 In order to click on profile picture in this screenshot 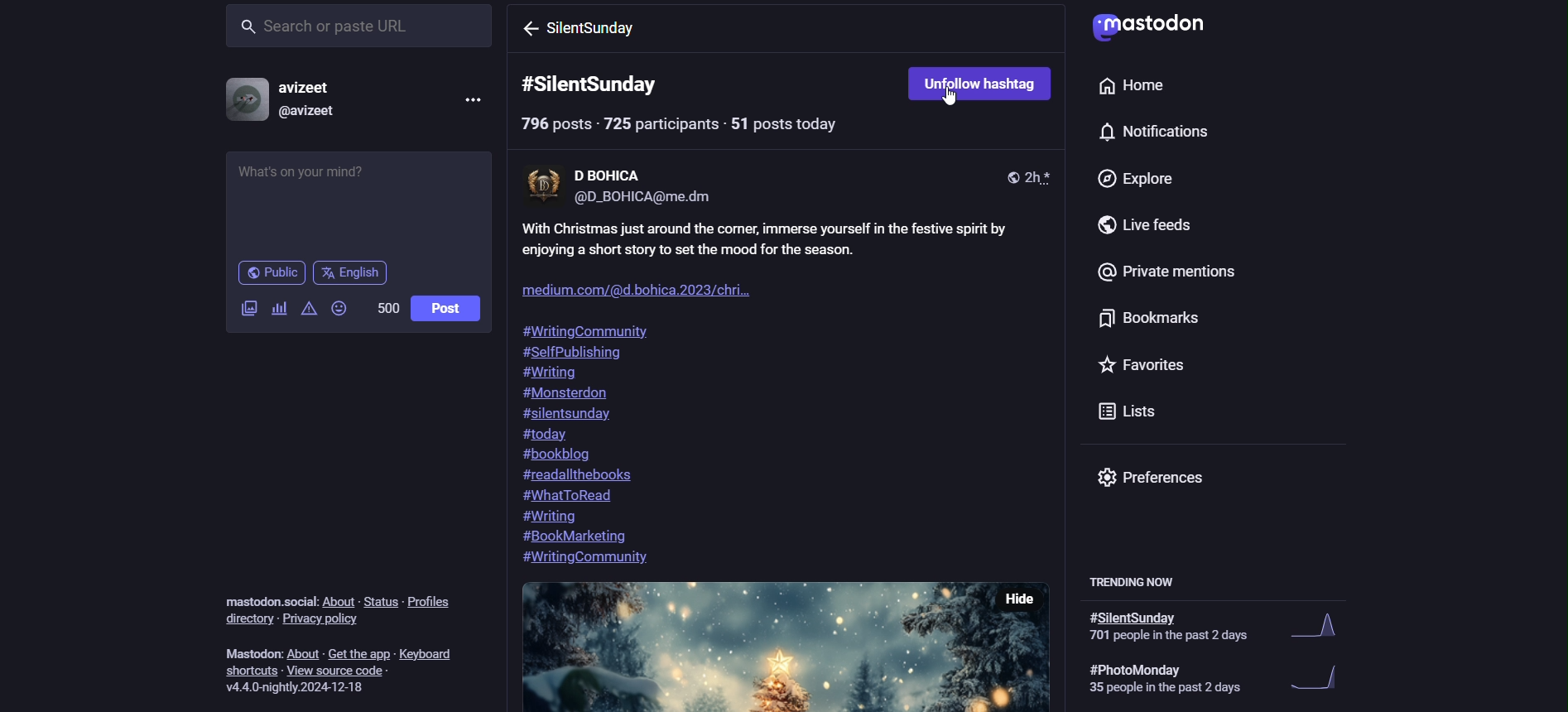, I will do `click(247, 99)`.